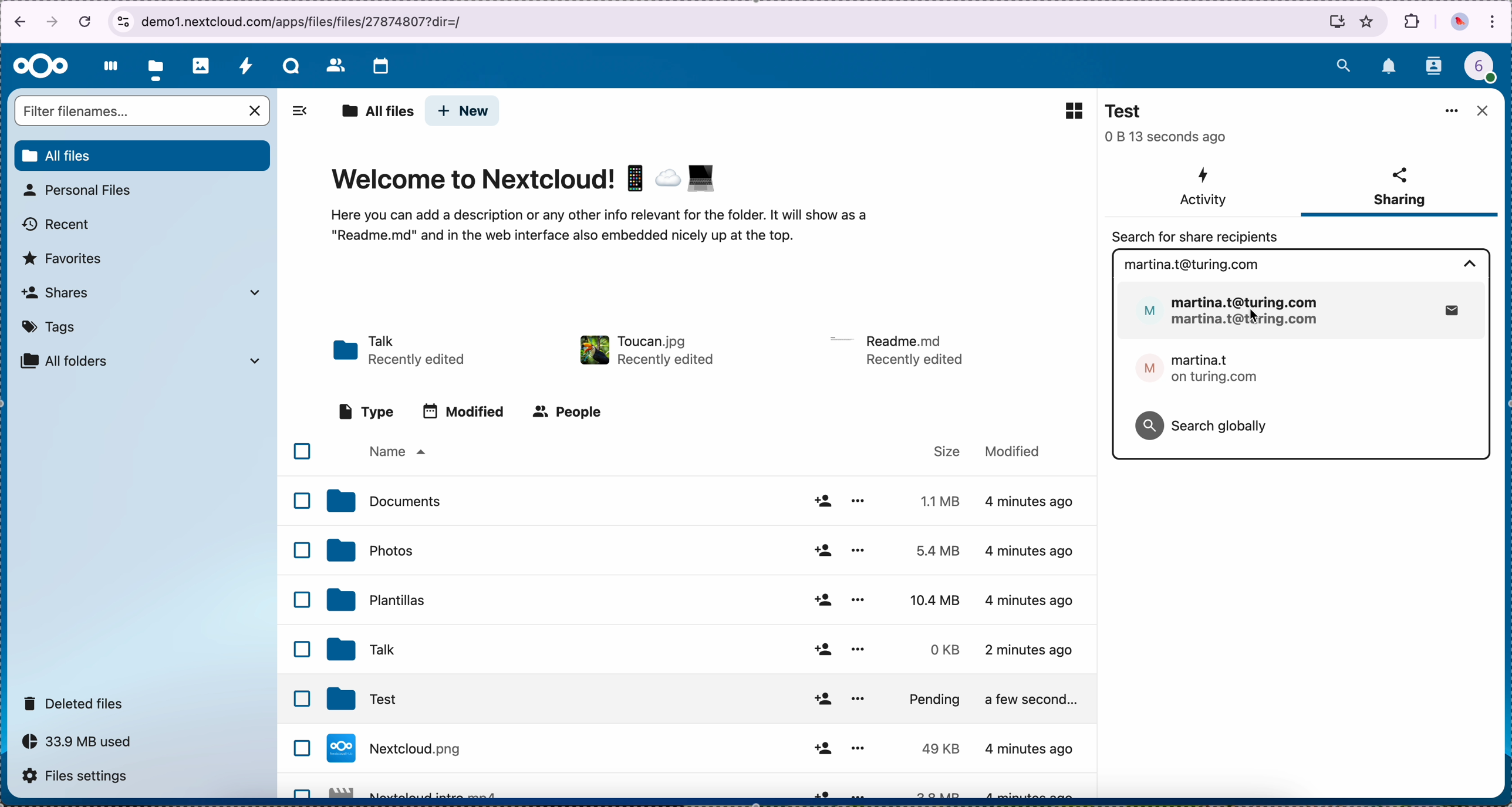 Image resolution: width=1512 pixels, height=807 pixels. What do you see at coordinates (1390, 67) in the screenshot?
I see `notifications` at bounding box center [1390, 67].